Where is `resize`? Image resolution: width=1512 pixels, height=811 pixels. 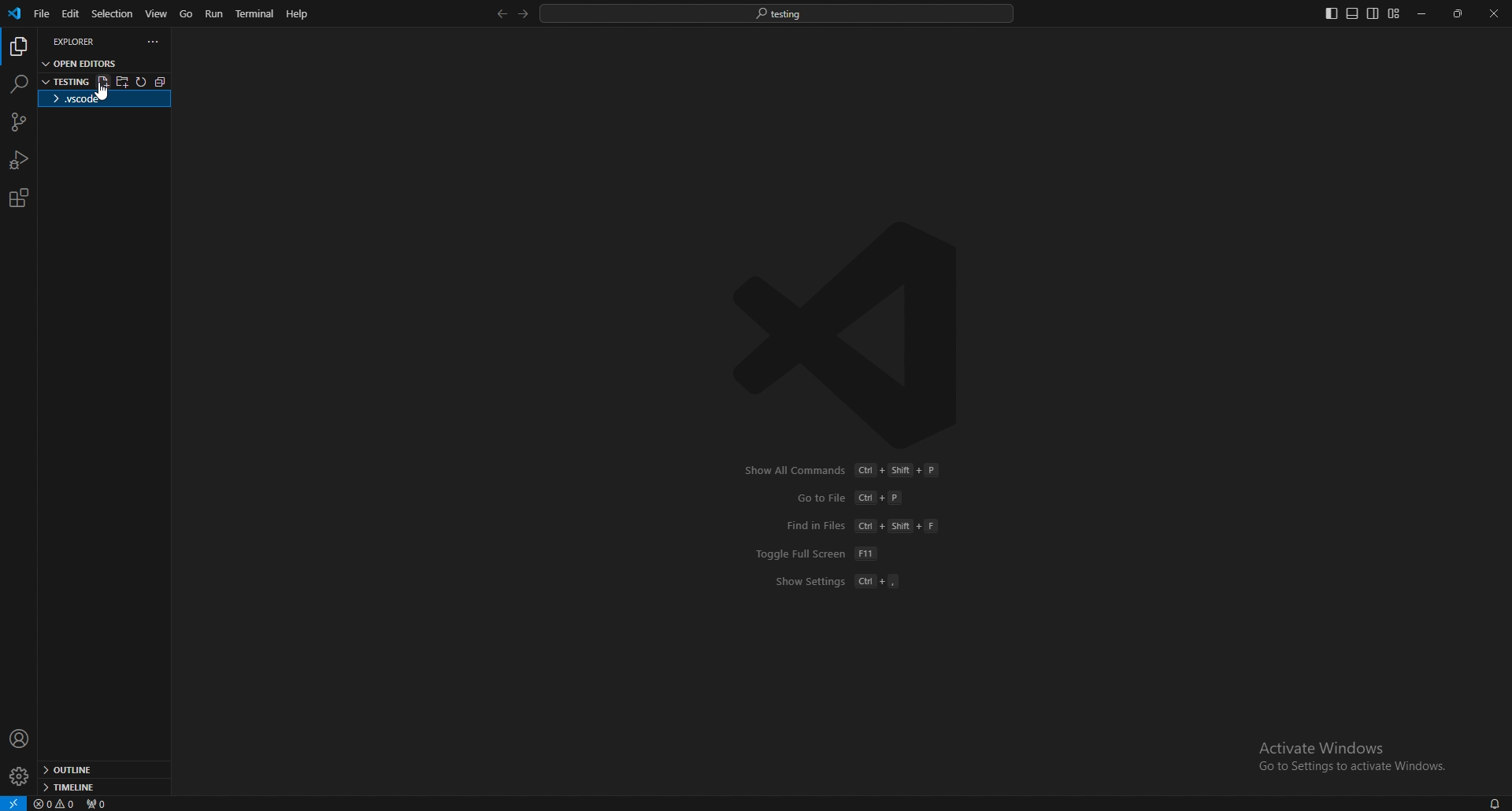
resize is located at coordinates (1459, 14).